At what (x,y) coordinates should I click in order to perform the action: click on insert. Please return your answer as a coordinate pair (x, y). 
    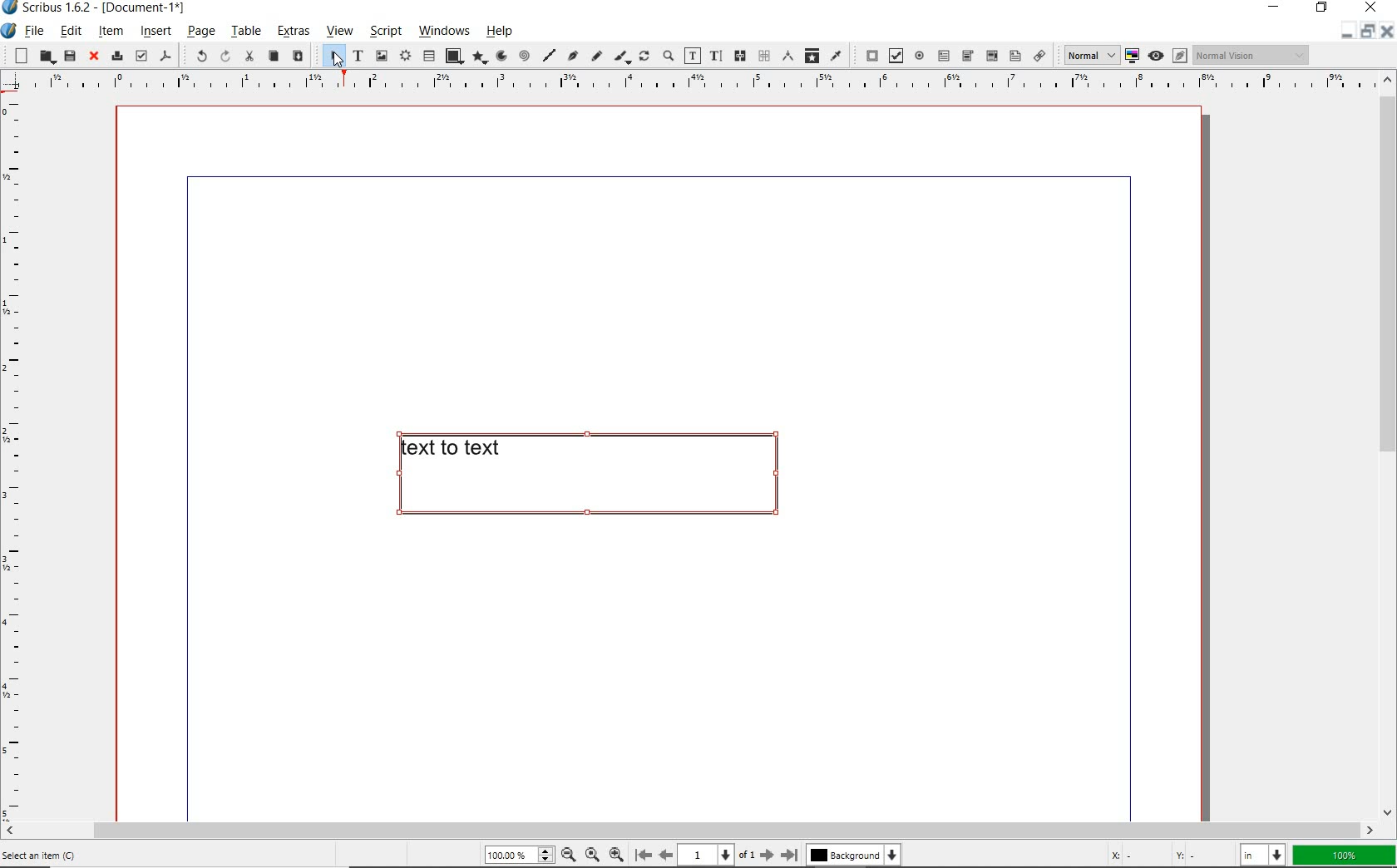
    Looking at the image, I should click on (155, 32).